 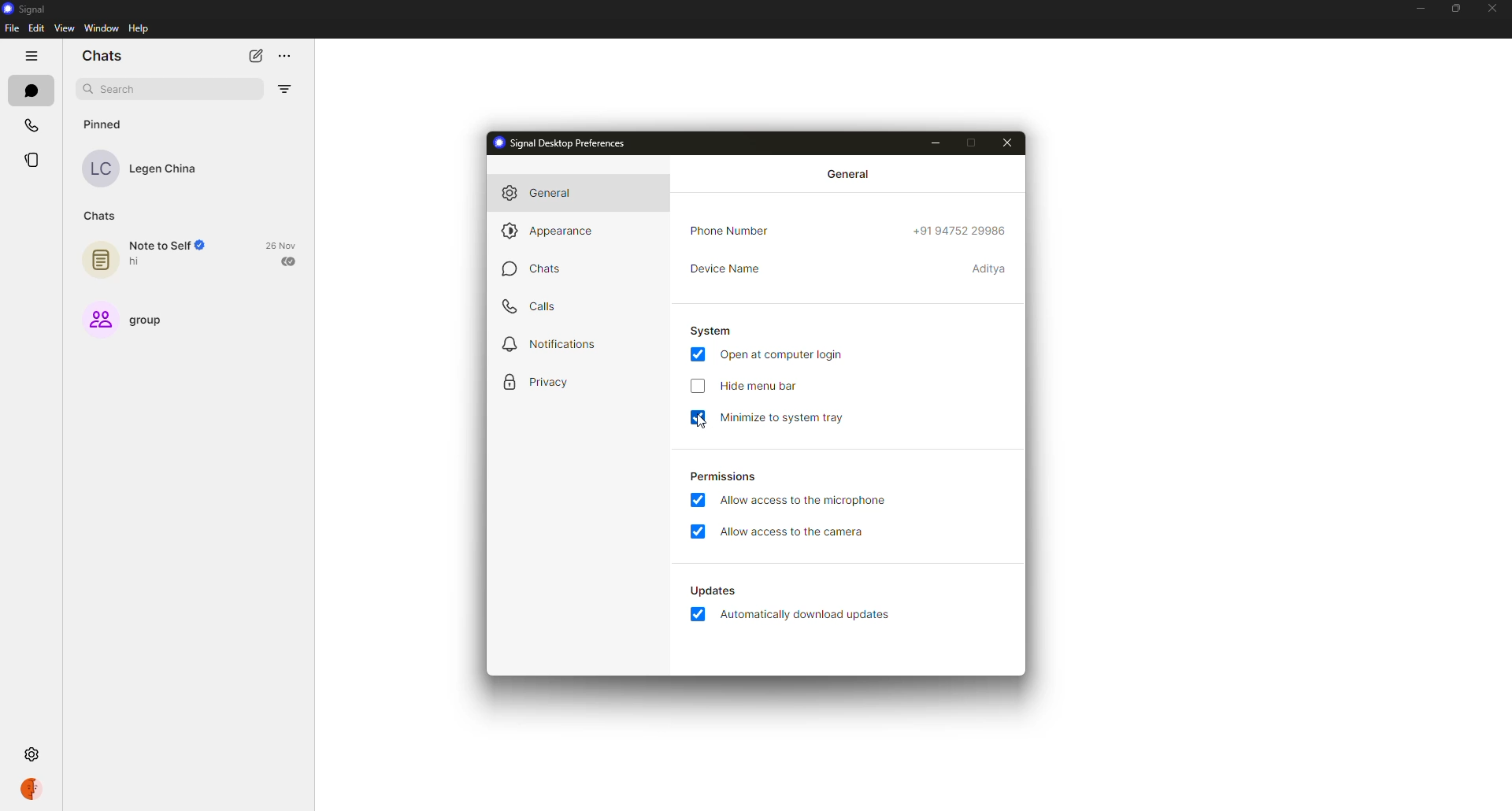 What do you see at coordinates (849, 174) in the screenshot?
I see `general` at bounding box center [849, 174].